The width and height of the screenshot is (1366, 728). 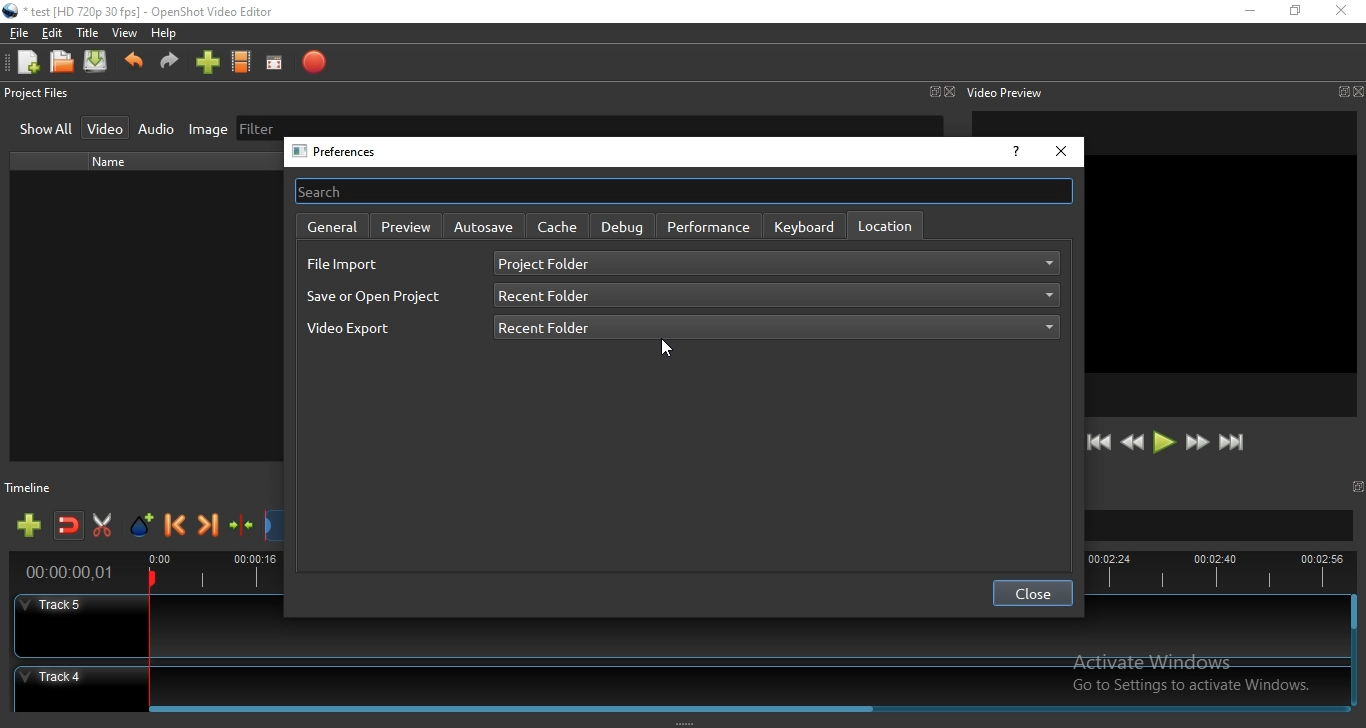 What do you see at coordinates (242, 529) in the screenshot?
I see `Centre the timeline on the playhead` at bounding box center [242, 529].